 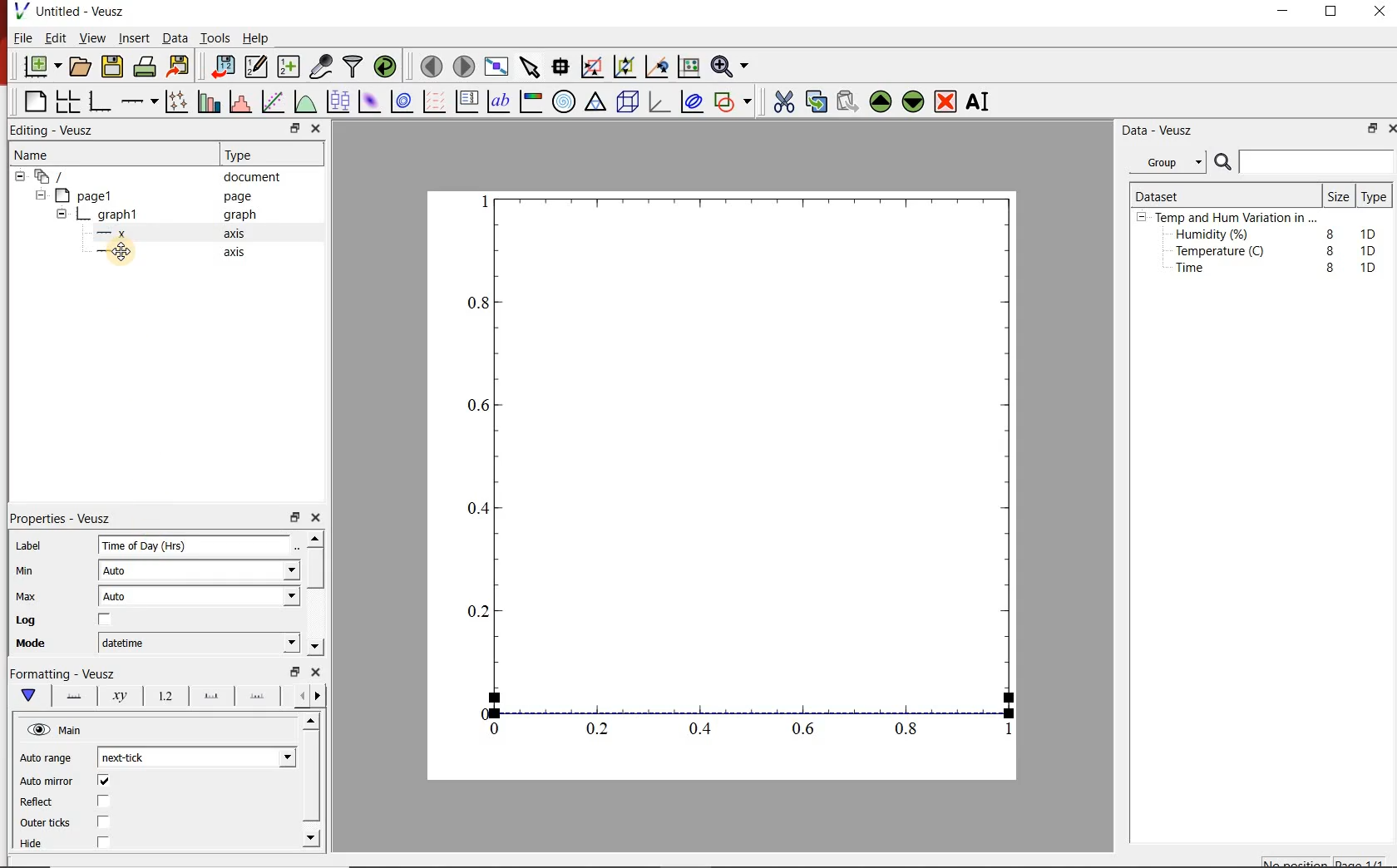 What do you see at coordinates (239, 216) in the screenshot?
I see `graph` at bounding box center [239, 216].